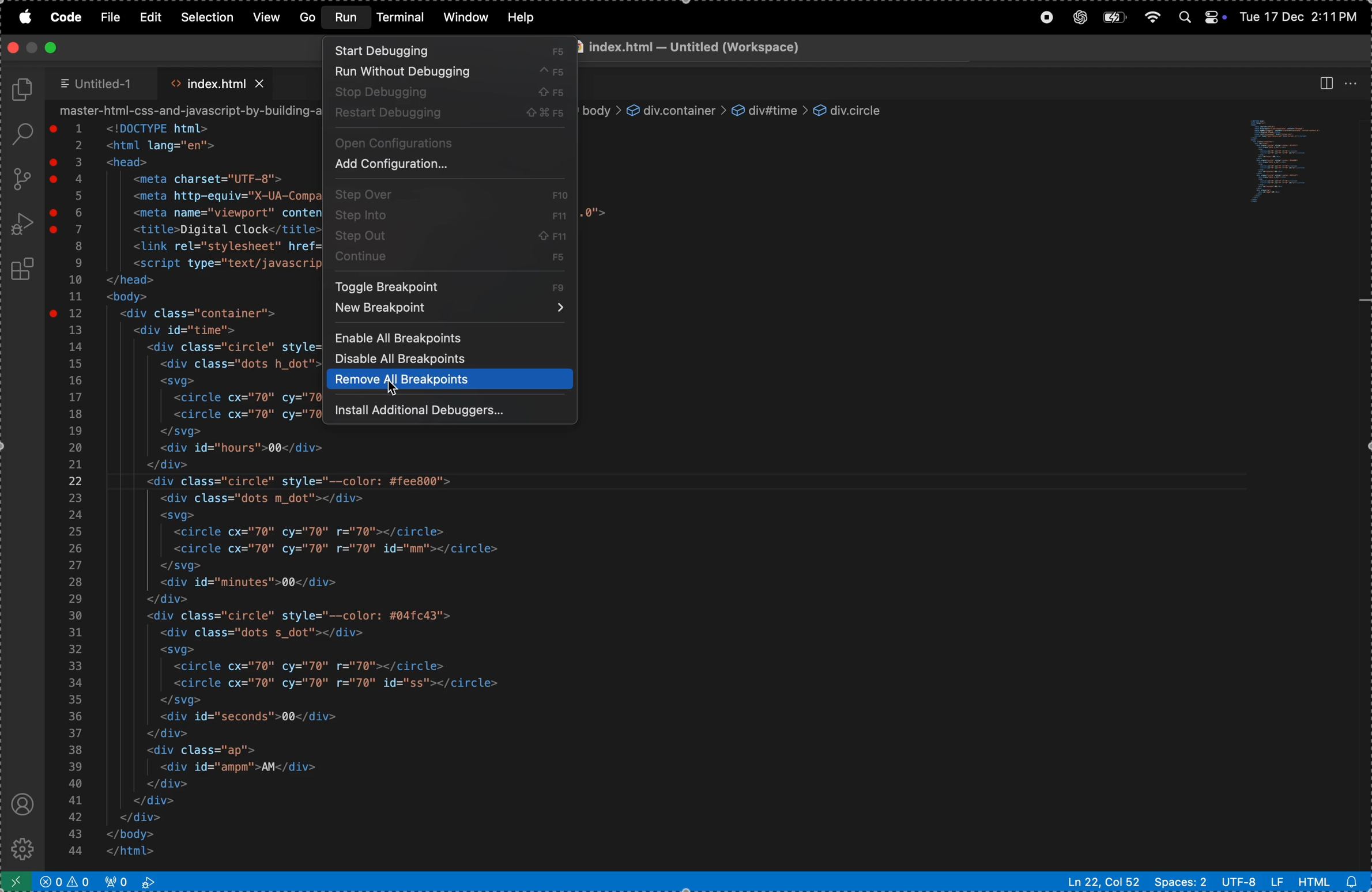  I want to click on maximize, so click(49, 48).